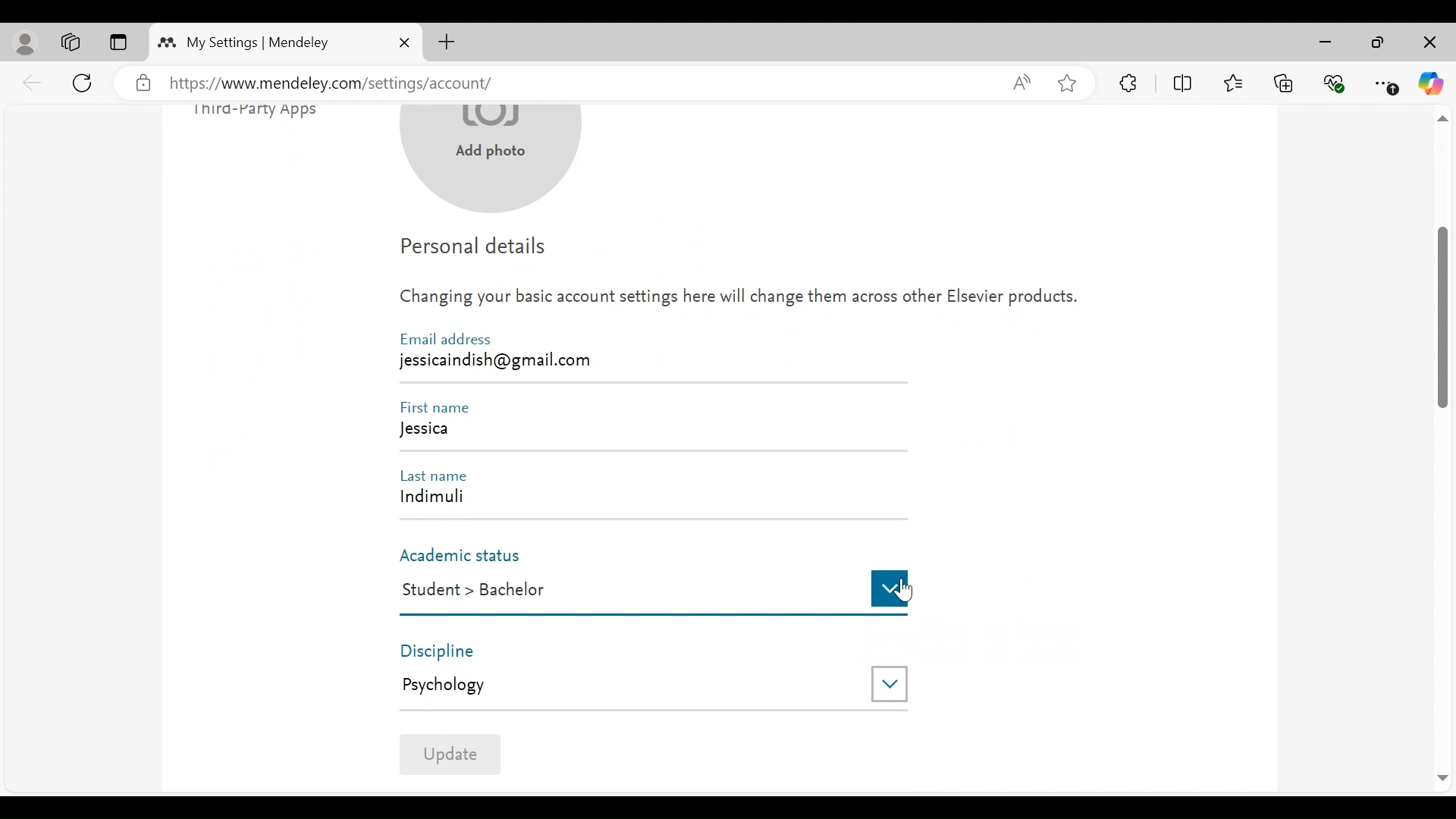 This screenshot has height=819, width=1456. I want to click on Maximize, so click(1378, 44).